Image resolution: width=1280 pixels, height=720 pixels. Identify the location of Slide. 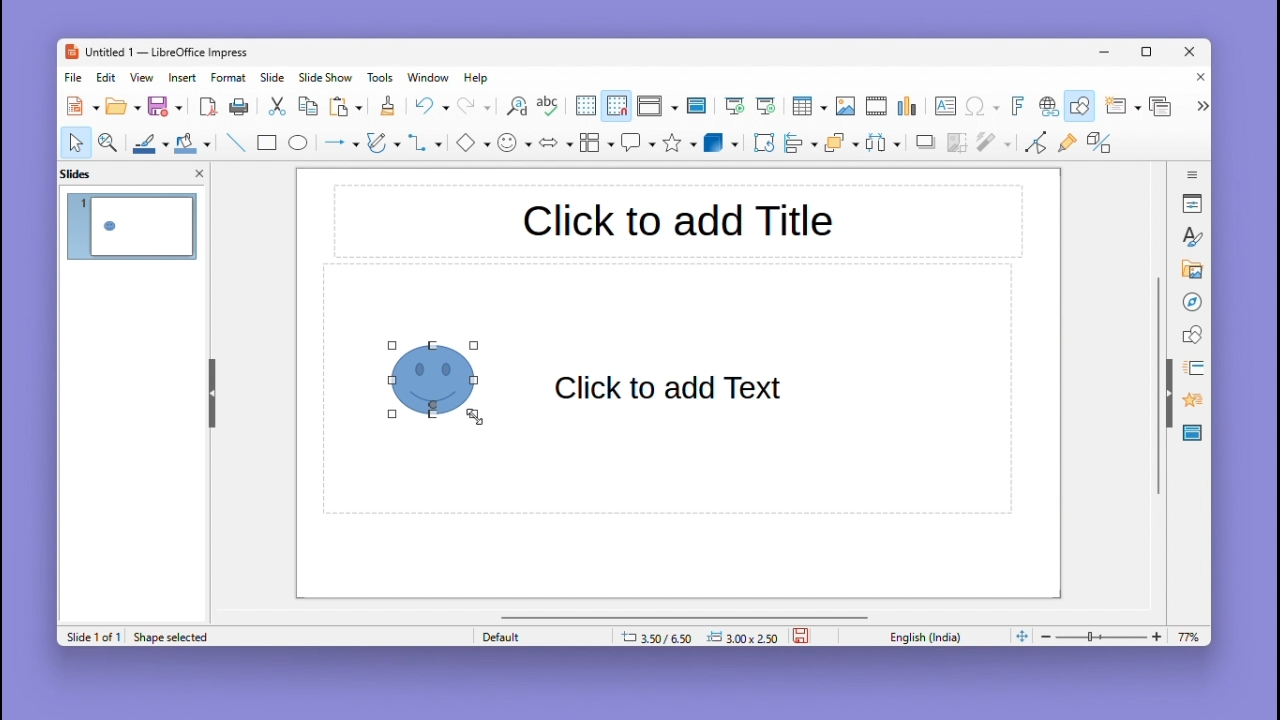
(273, 77).